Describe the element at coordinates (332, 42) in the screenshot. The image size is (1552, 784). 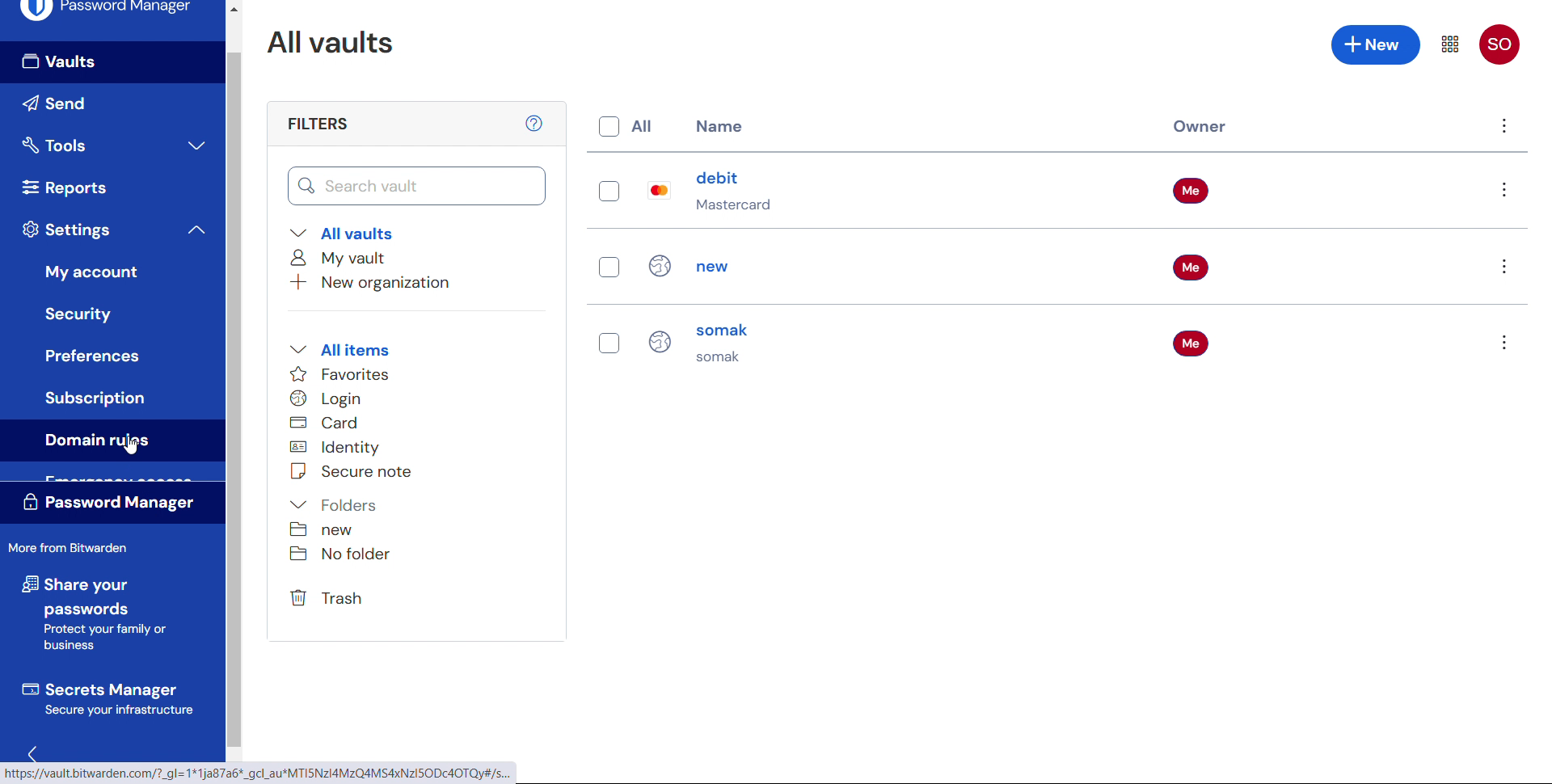
I see `All vaults ` at that location.